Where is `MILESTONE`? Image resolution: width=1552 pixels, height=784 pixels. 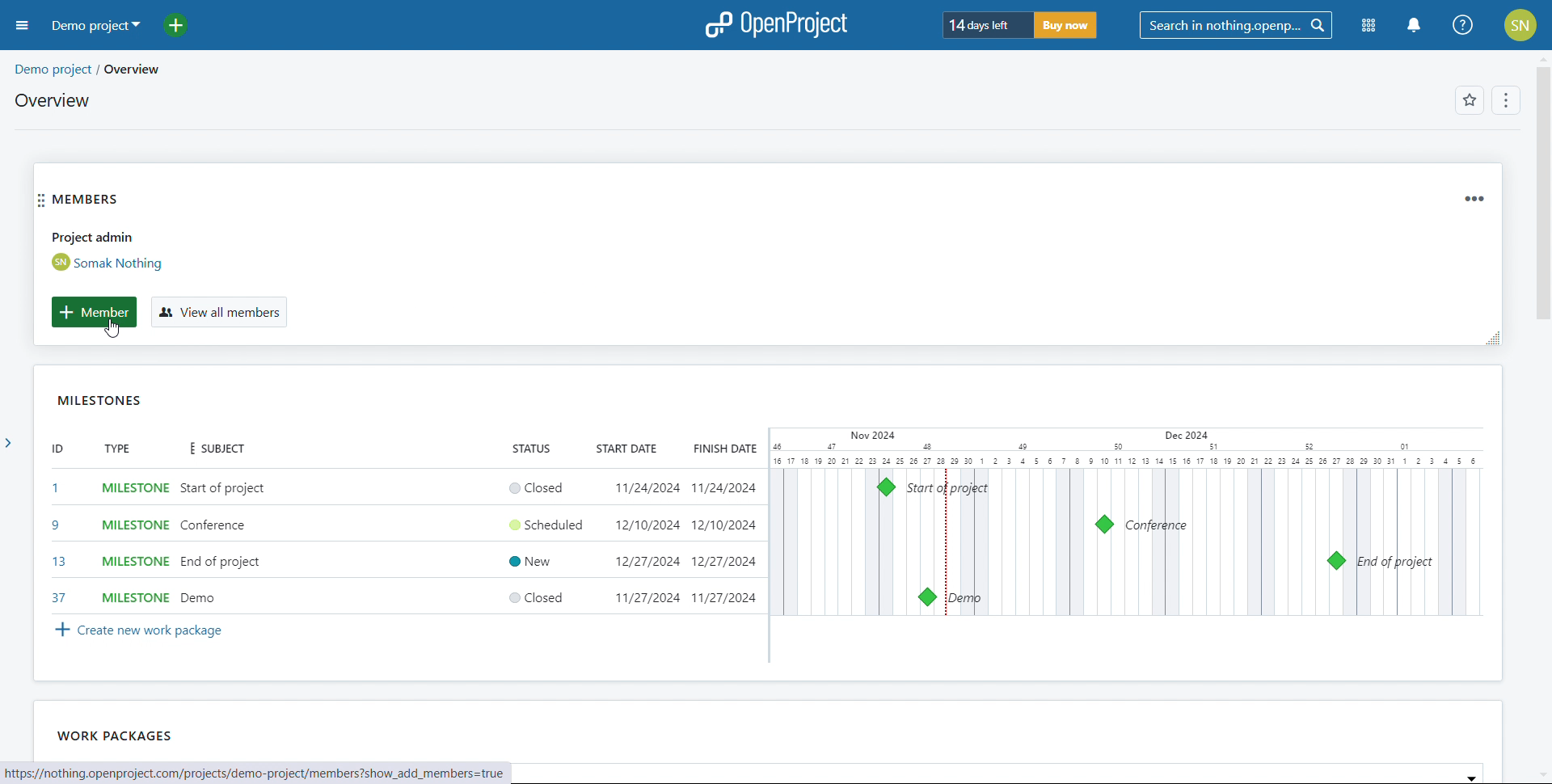
MILESTONE is located at coordinates (133, 525).